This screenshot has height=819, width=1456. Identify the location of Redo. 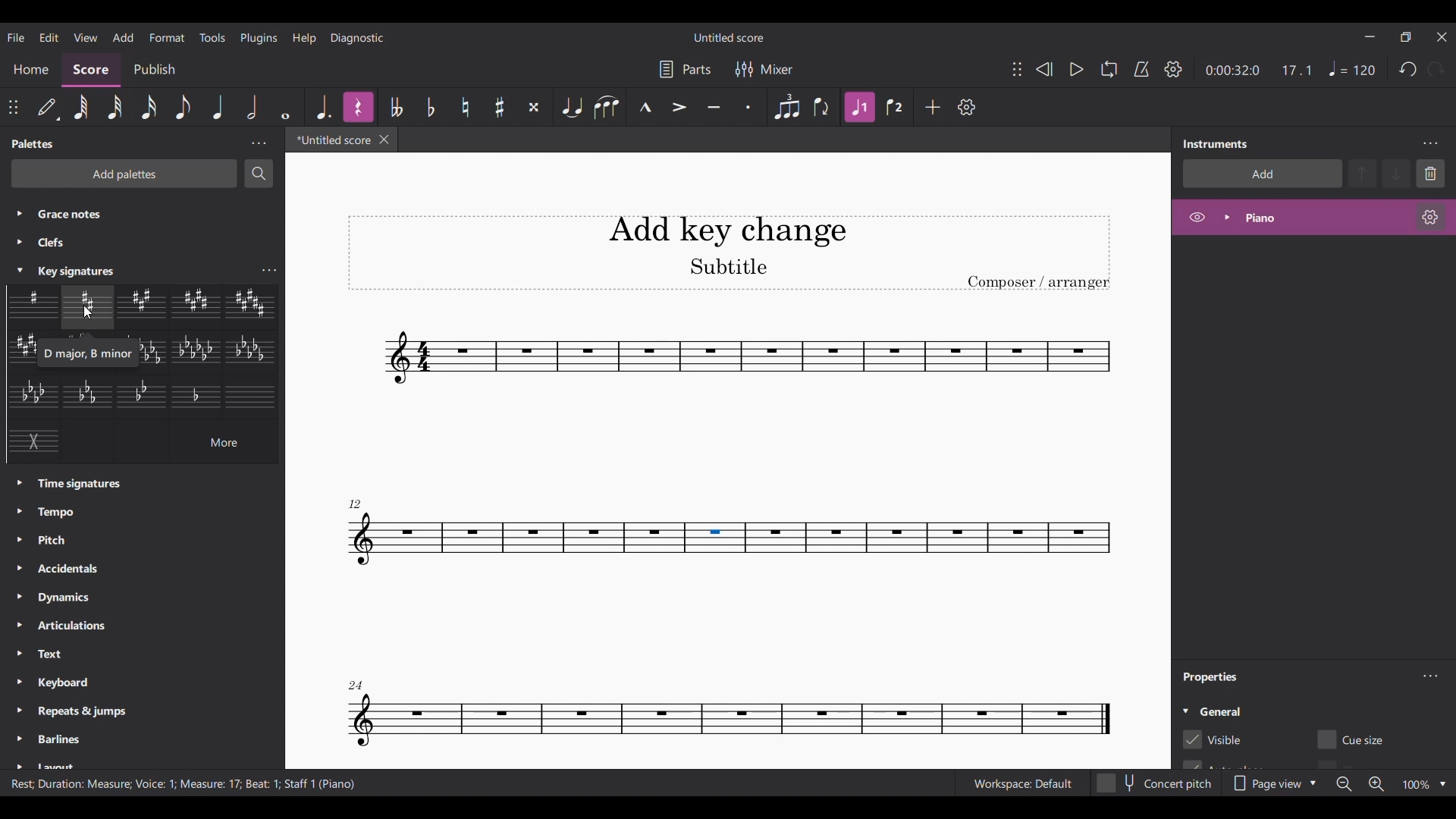
(1436, 69).